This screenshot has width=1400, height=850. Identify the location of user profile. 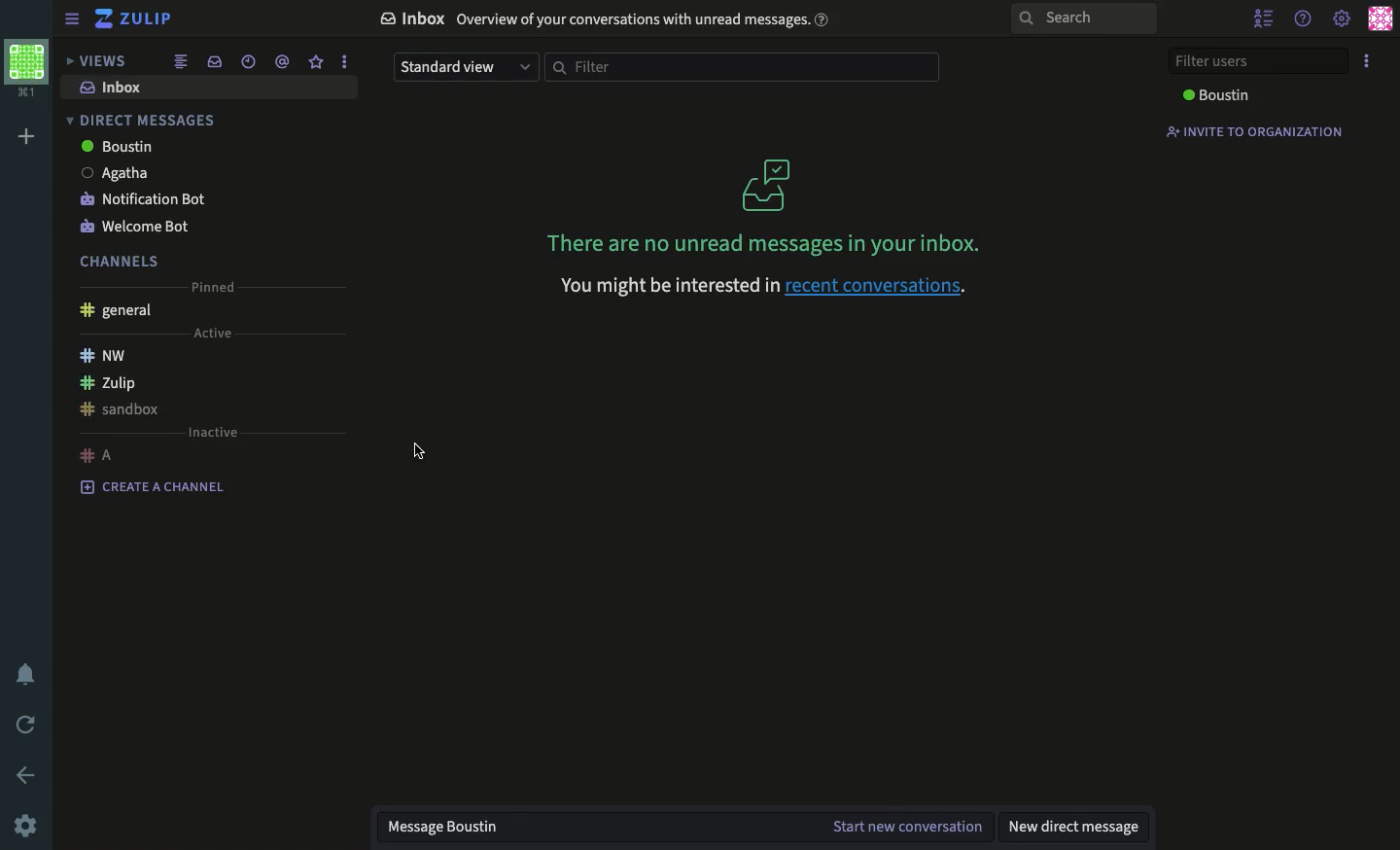
(1382, 17).